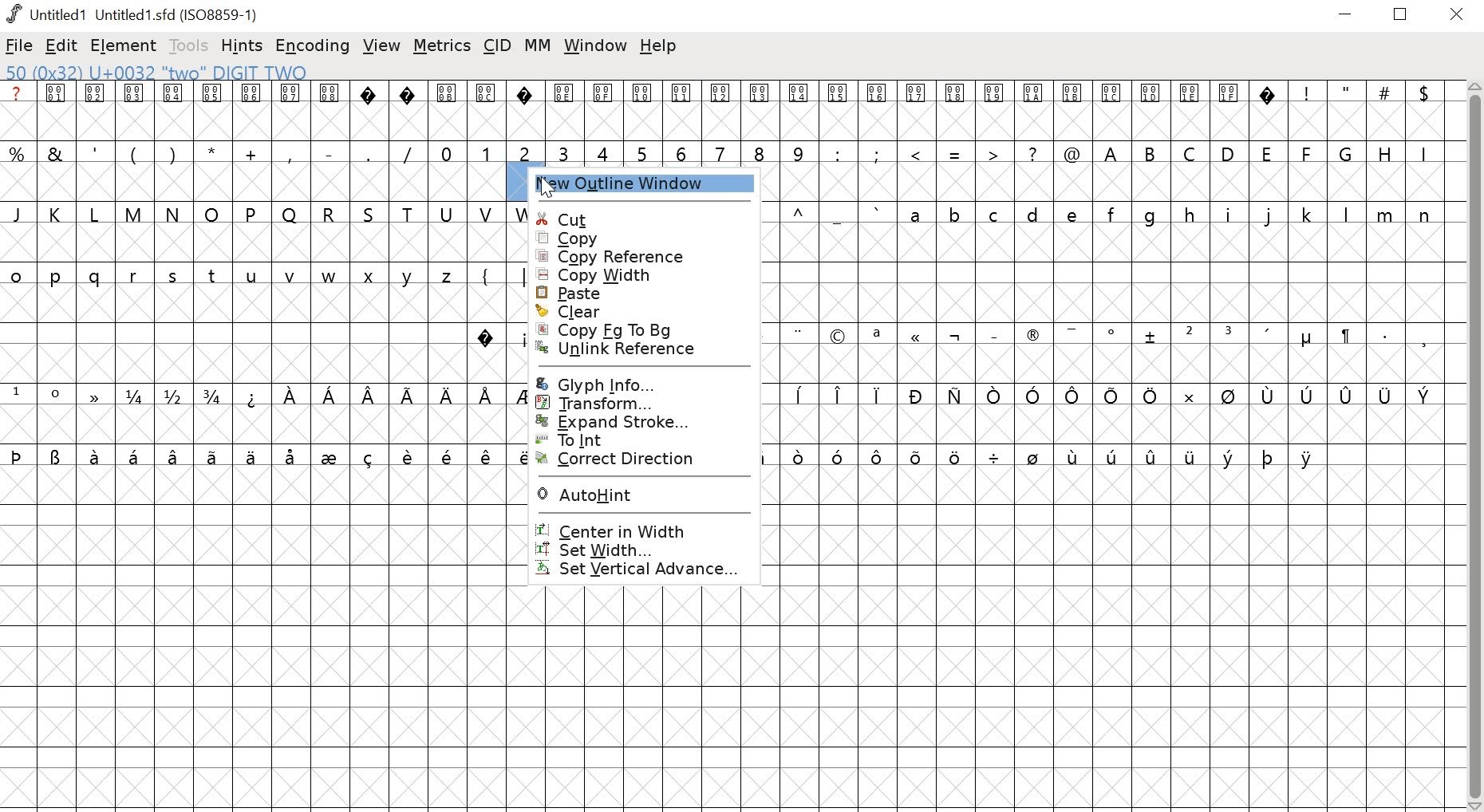 The image size is (1484, 812). I want to click on copy, so click(643, 239).